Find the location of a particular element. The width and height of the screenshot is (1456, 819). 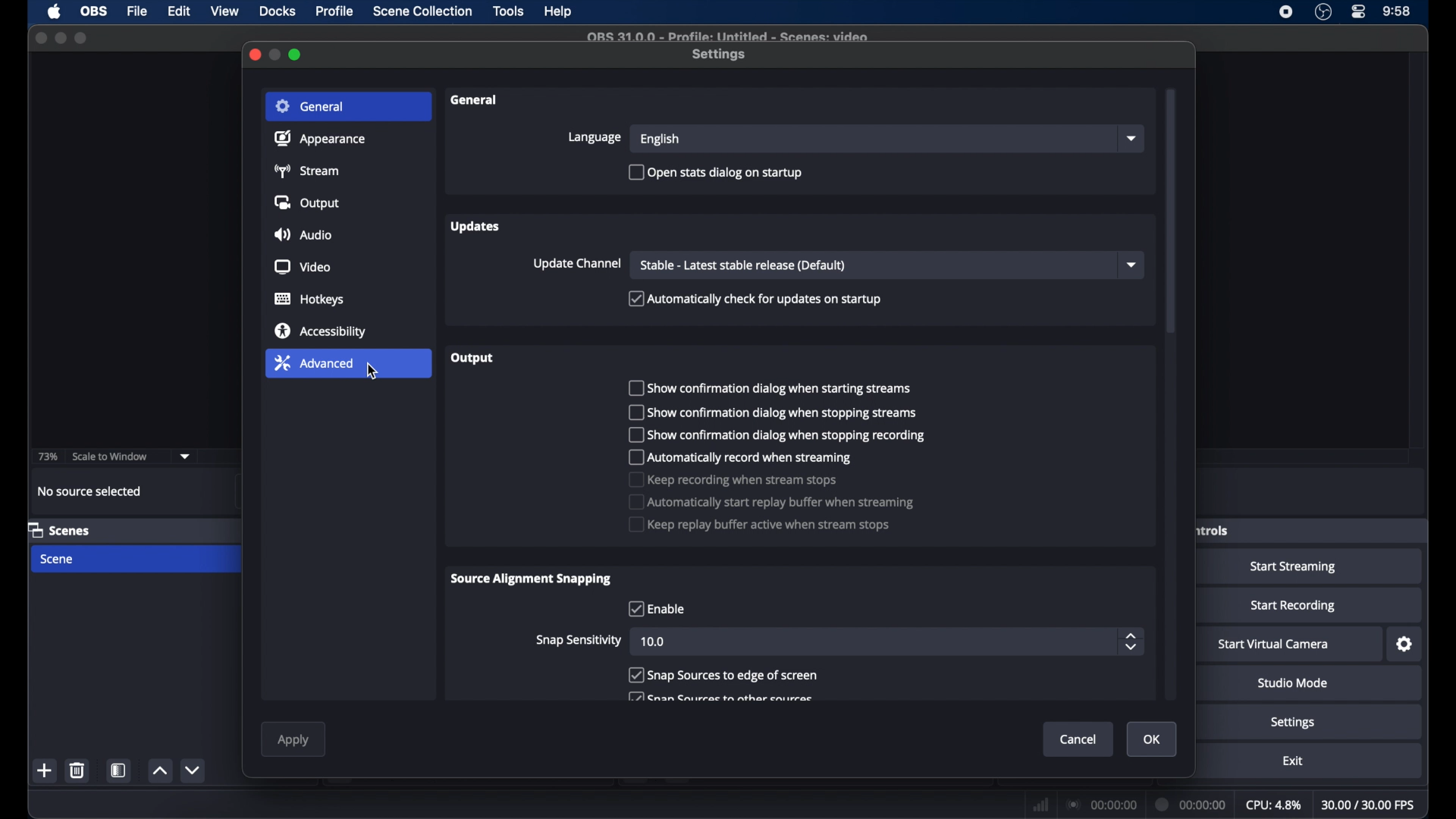

scene collection is located at coordinates (422, 12).